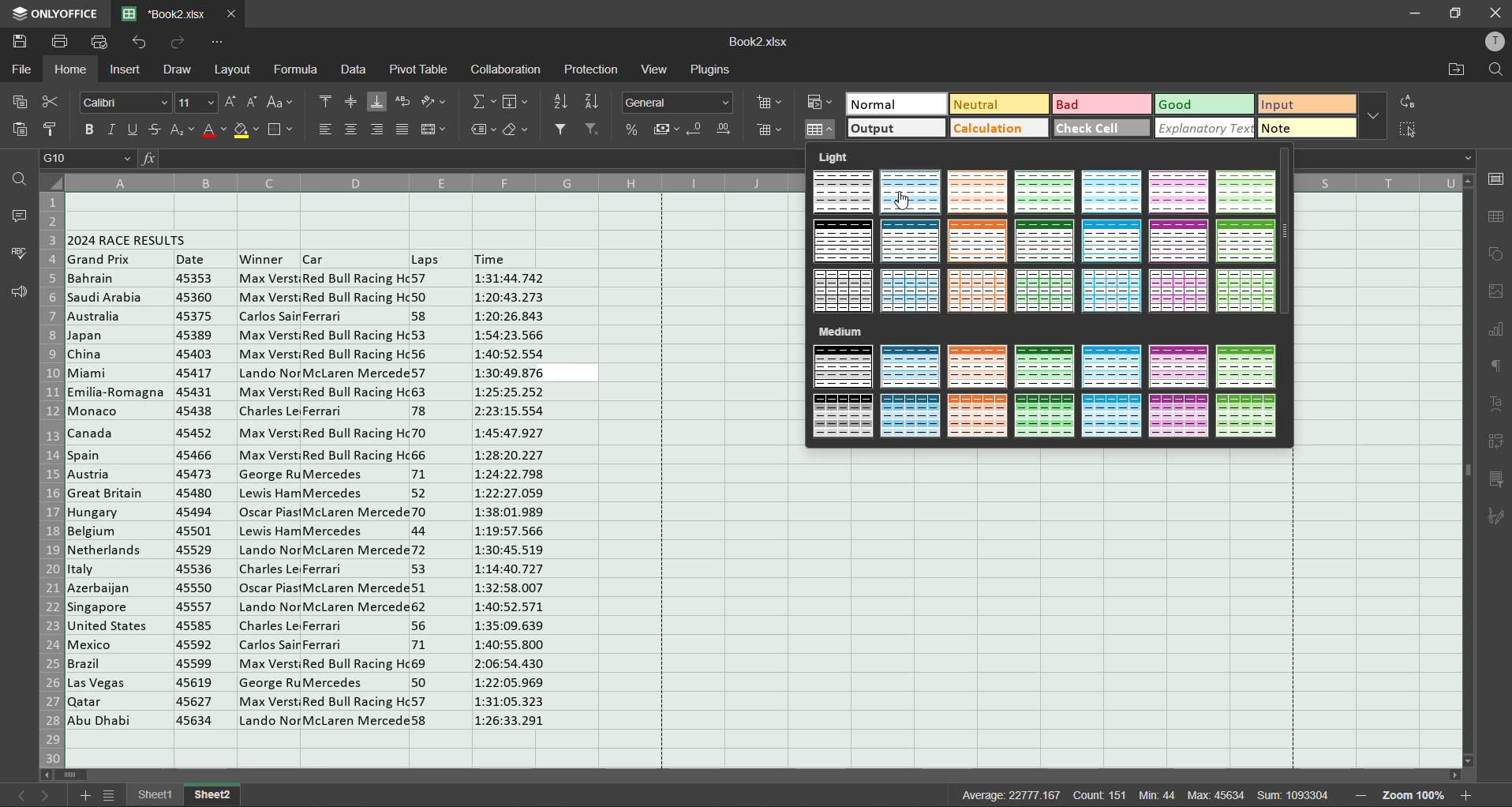 This screenshot has height=807, width=1512. What do you see at coordinates (433, 102) in the screenshot?
I see `orientation` at bounding box center [433, 102].